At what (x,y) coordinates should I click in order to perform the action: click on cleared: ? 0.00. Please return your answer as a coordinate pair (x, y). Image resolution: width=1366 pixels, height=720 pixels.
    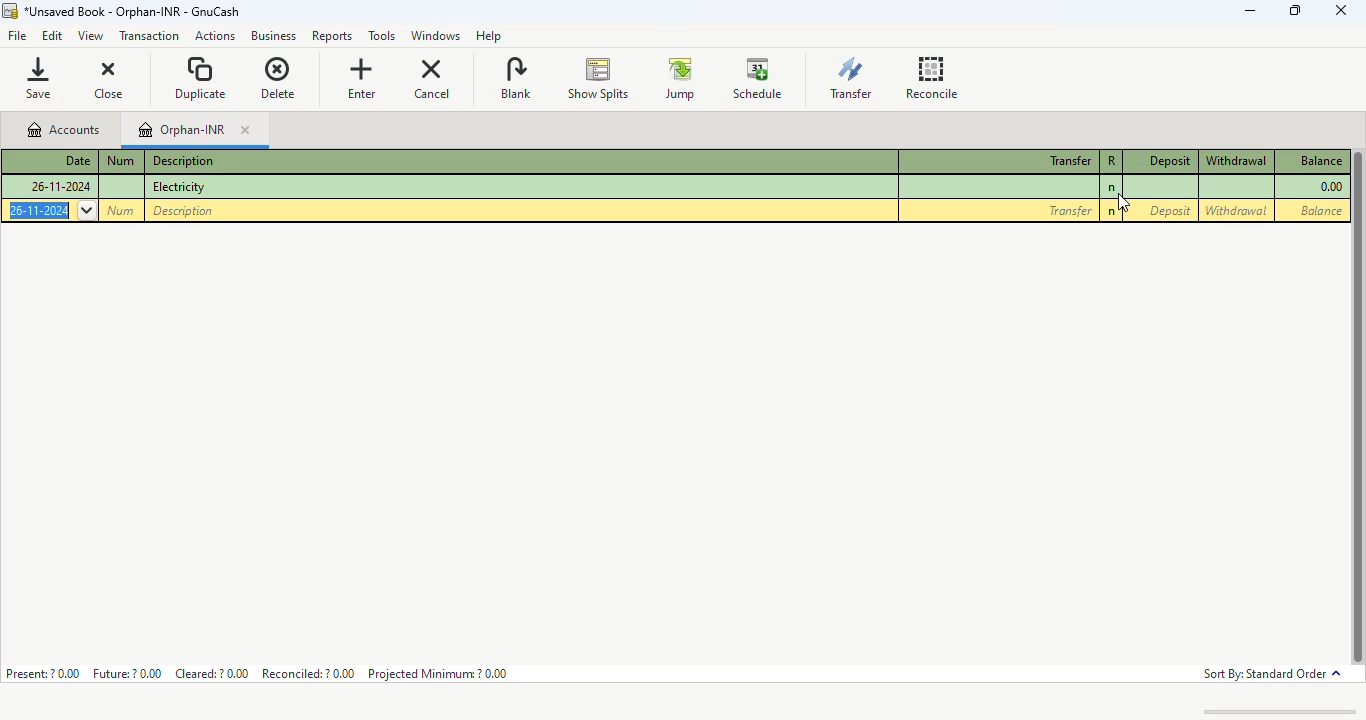
    Looking at the image, I should click on (213, 672).